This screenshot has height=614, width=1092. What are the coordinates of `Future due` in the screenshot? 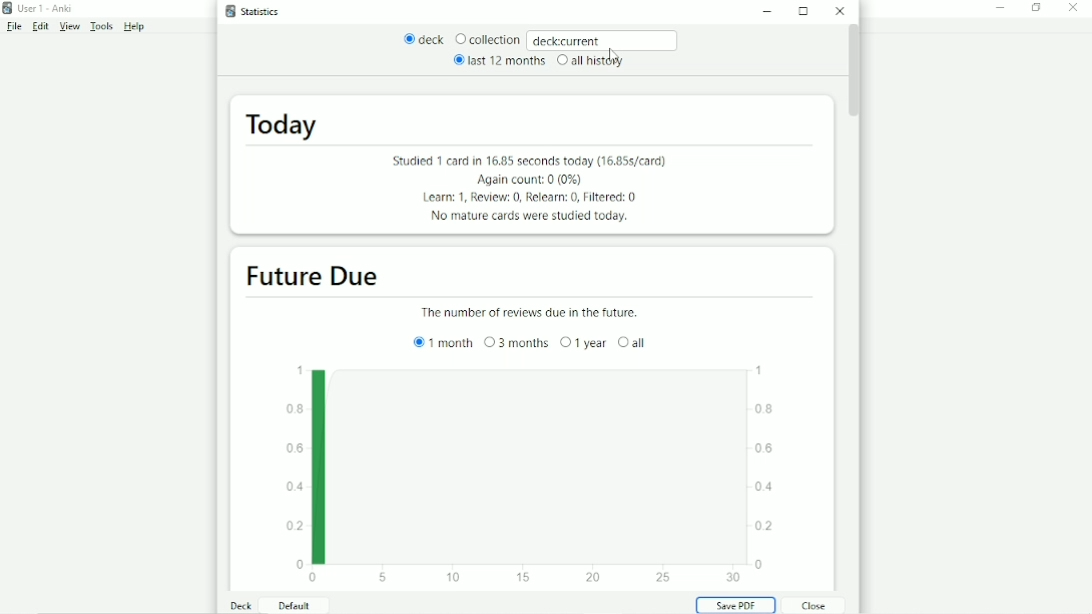 It's located at (309, 277).